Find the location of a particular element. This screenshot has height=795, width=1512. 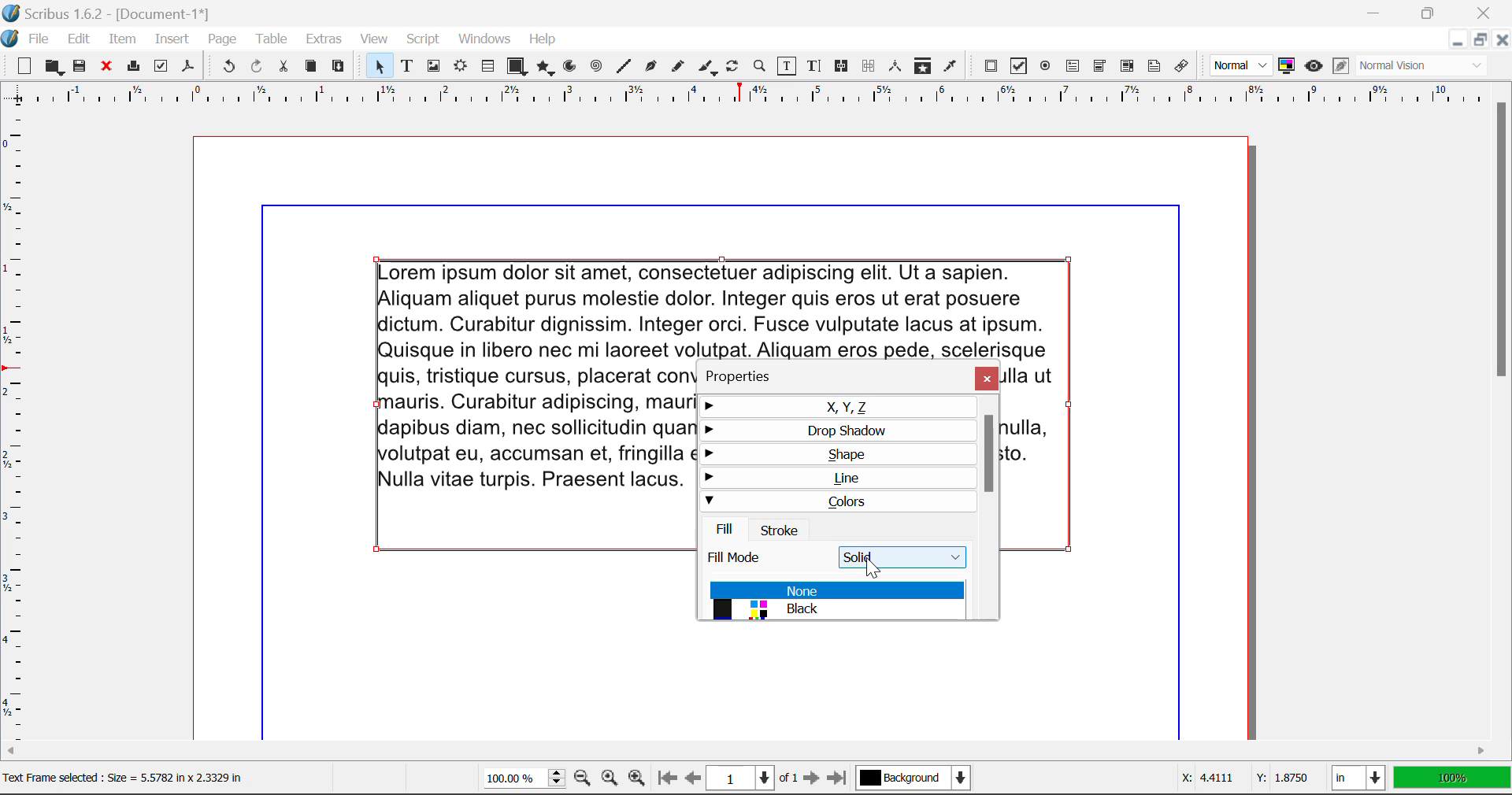

Close is located at coordinates (1487, 11).